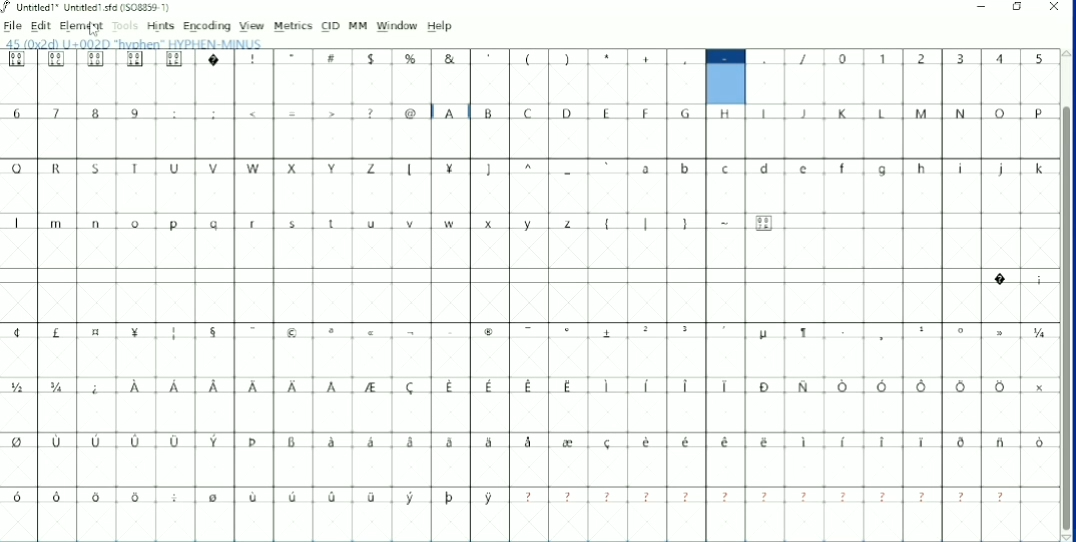 The height and width of the screenshot is (542, 1076). I want to click on Symbols, so click(508, 168).